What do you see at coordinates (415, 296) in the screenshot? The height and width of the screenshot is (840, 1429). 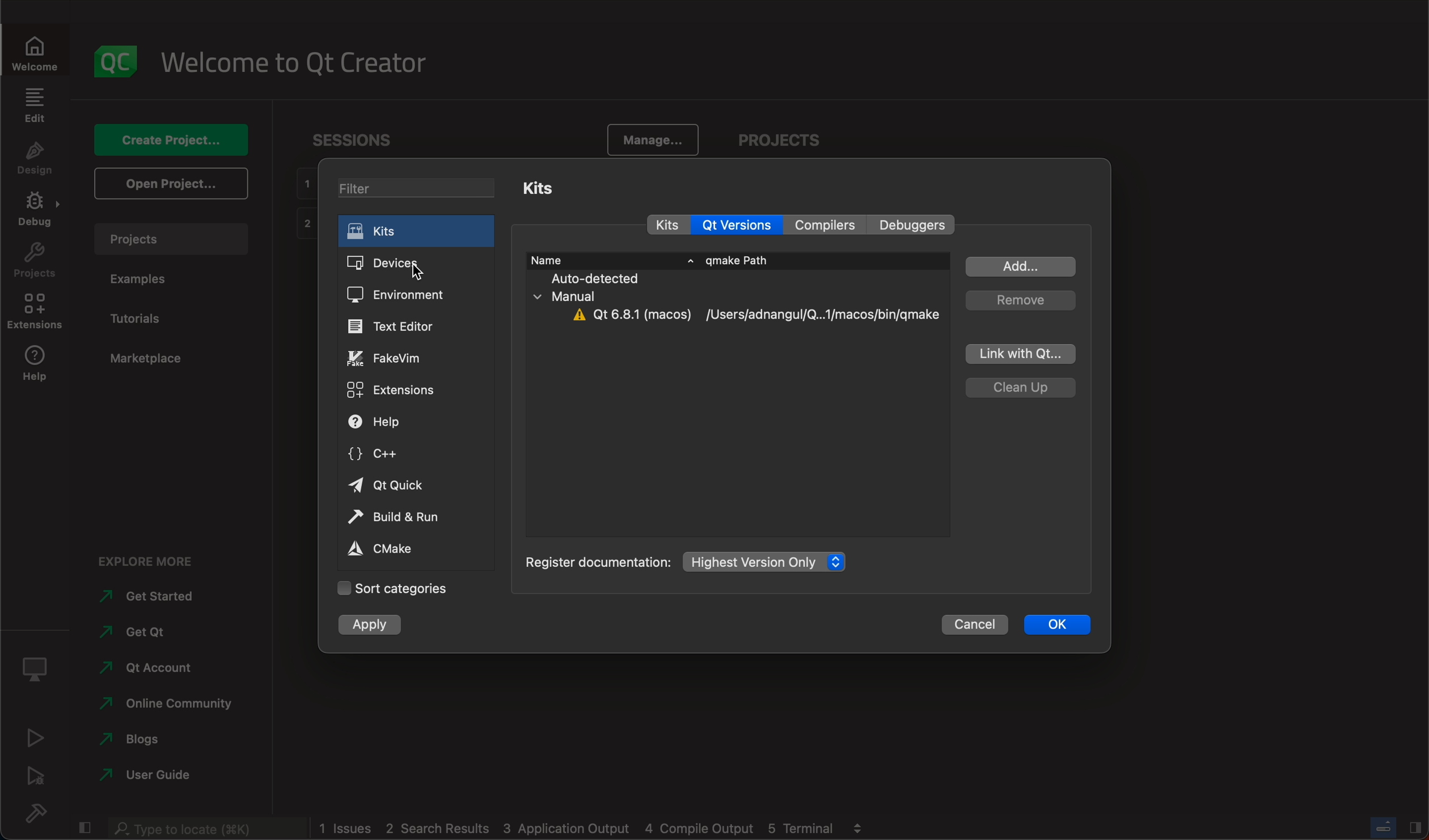 I see `environment` at bounding box center [415, 296].